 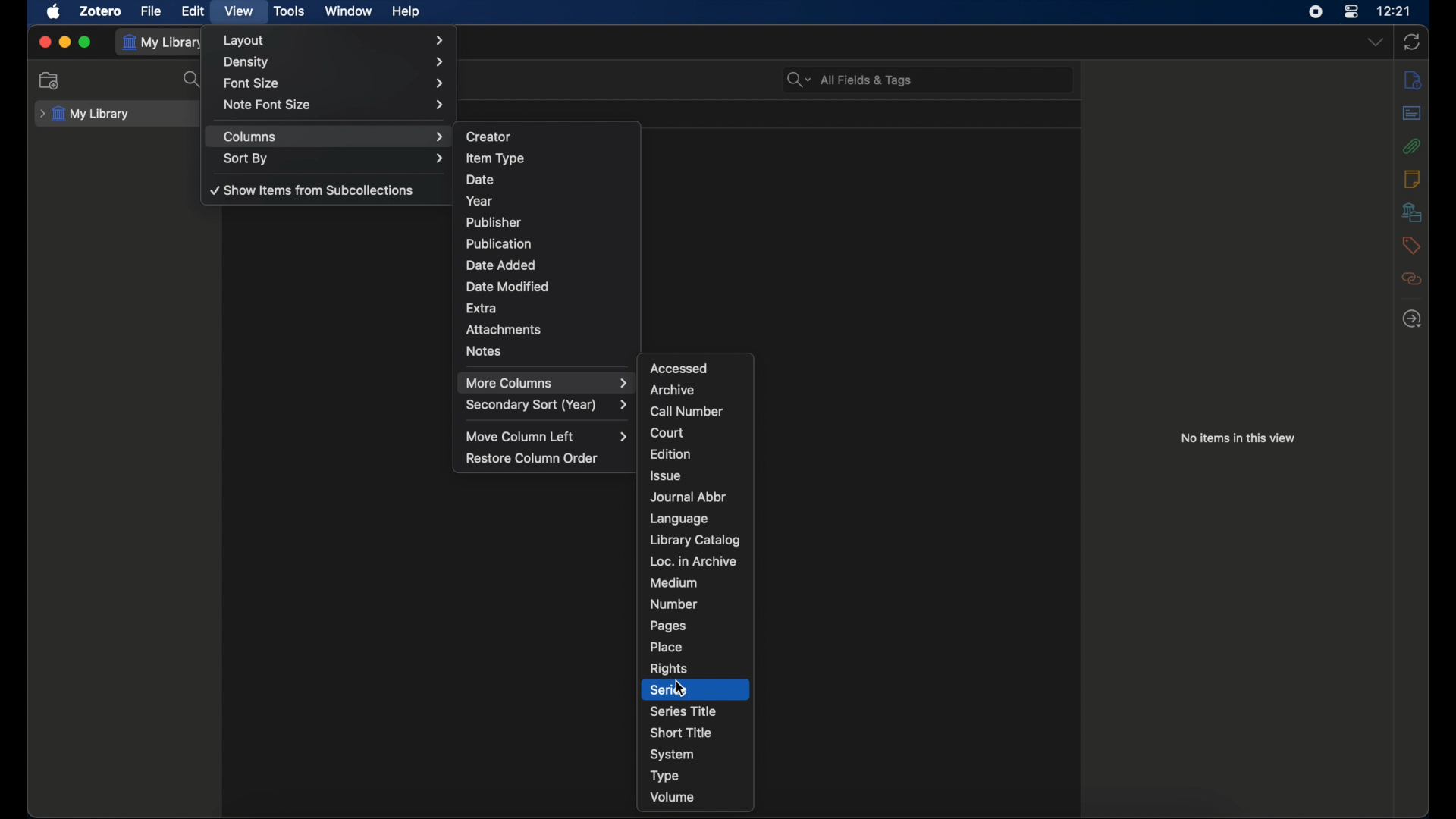 What do you see at coordinates (666, 475) in the screenshot?
I see `issue` at bounding box center [666, 475].